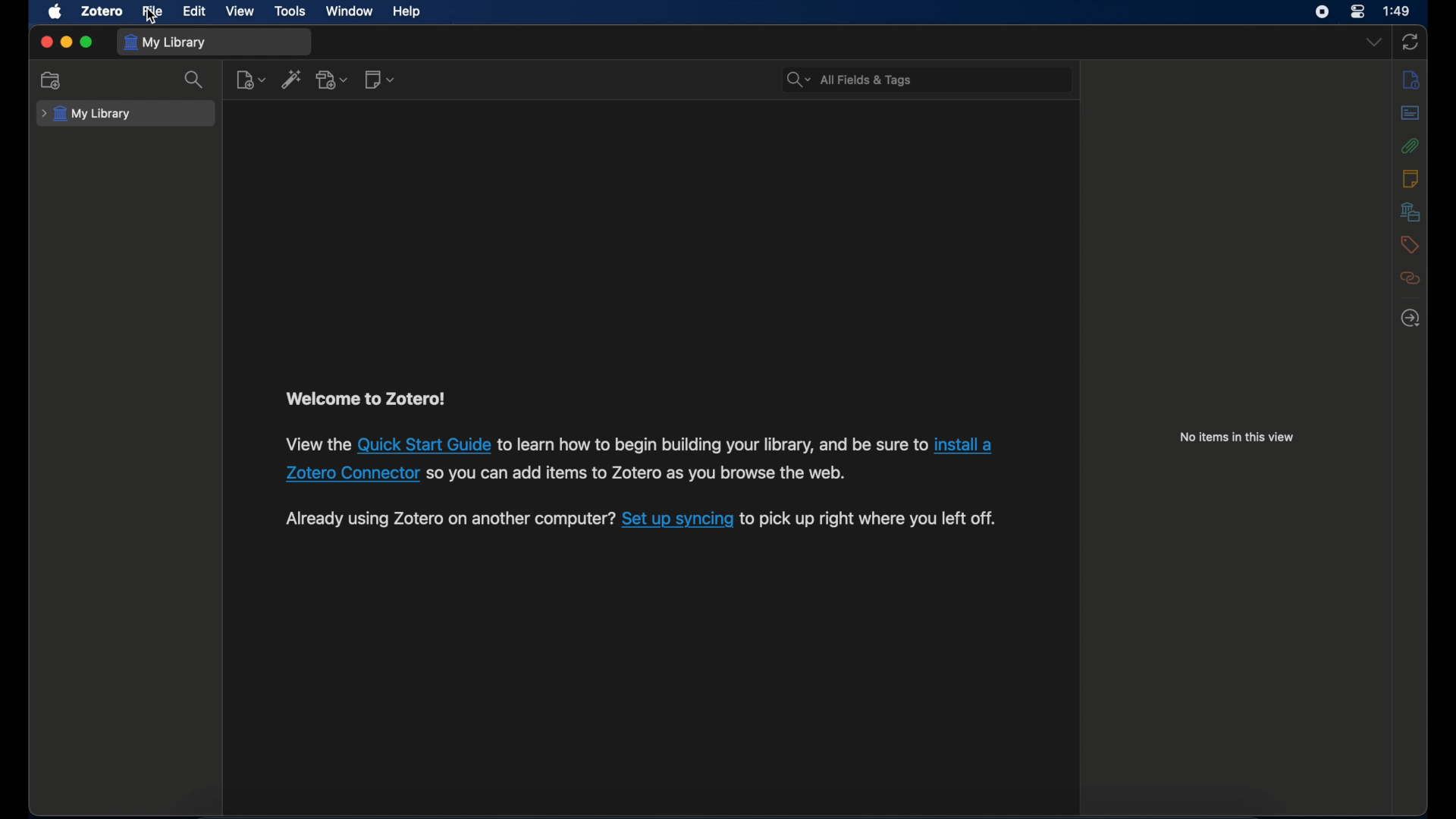 Image resolution: width=1456 pixels, height=819 pixels. I want to click on new item, so click(251, 80).